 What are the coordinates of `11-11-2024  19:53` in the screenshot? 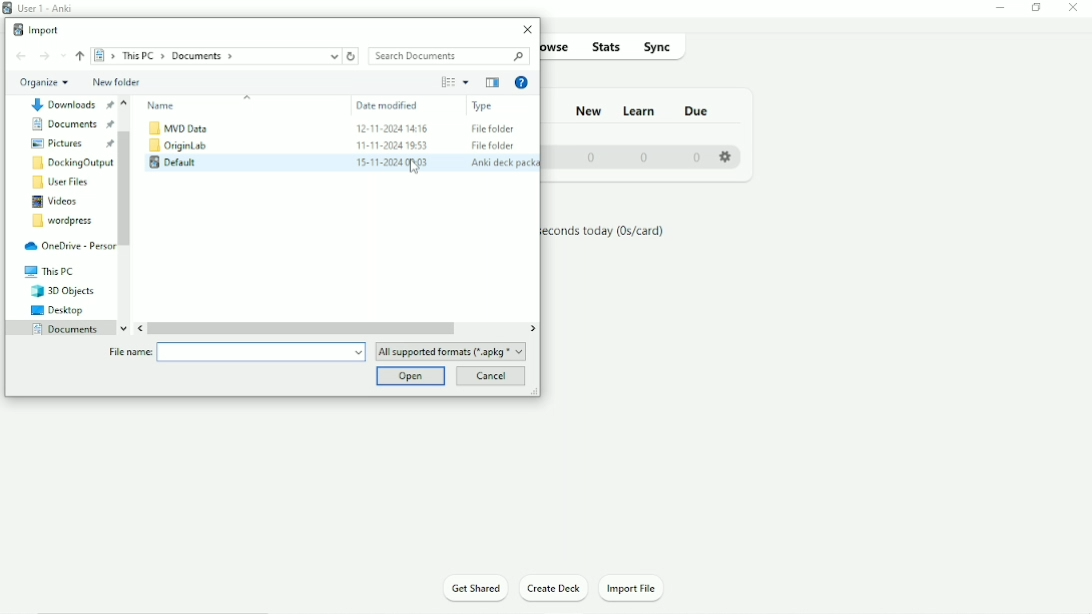 It's located at (394, 145).